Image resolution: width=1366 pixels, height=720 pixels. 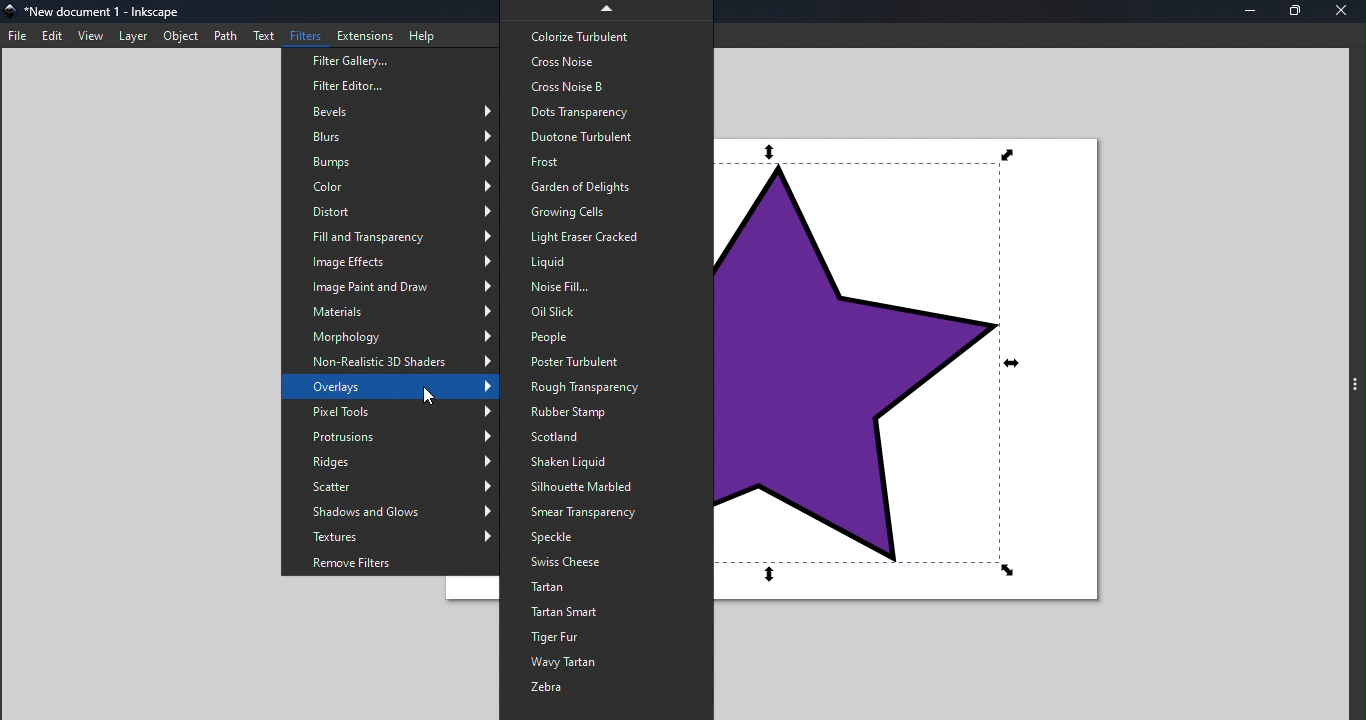 What do you see at coordinates (427, 33) in the screenshot?
I see `Help` at bounding box center [427, 33].